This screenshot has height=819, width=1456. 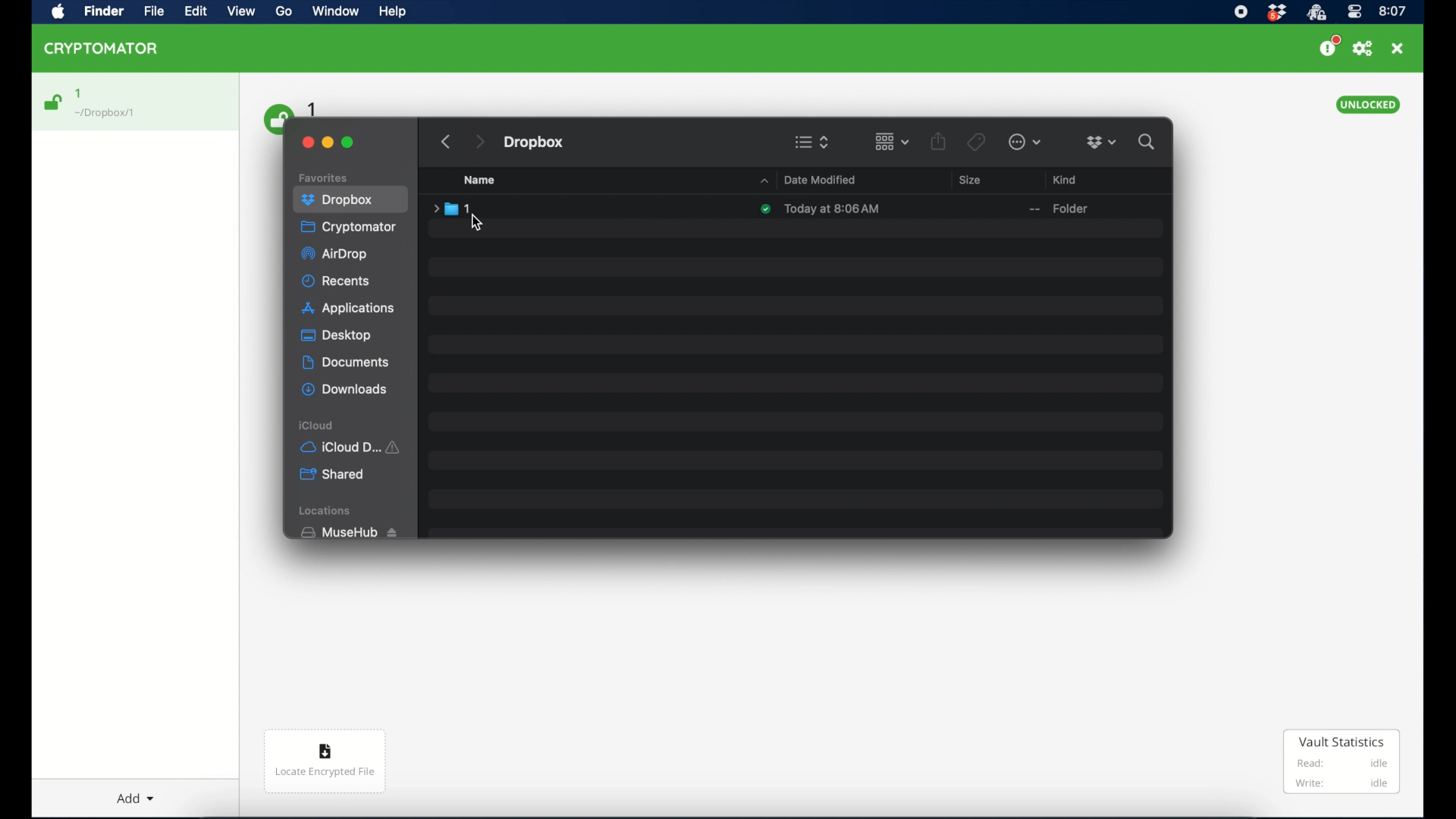 I want to click on support us, so click(x=1329, y=46).